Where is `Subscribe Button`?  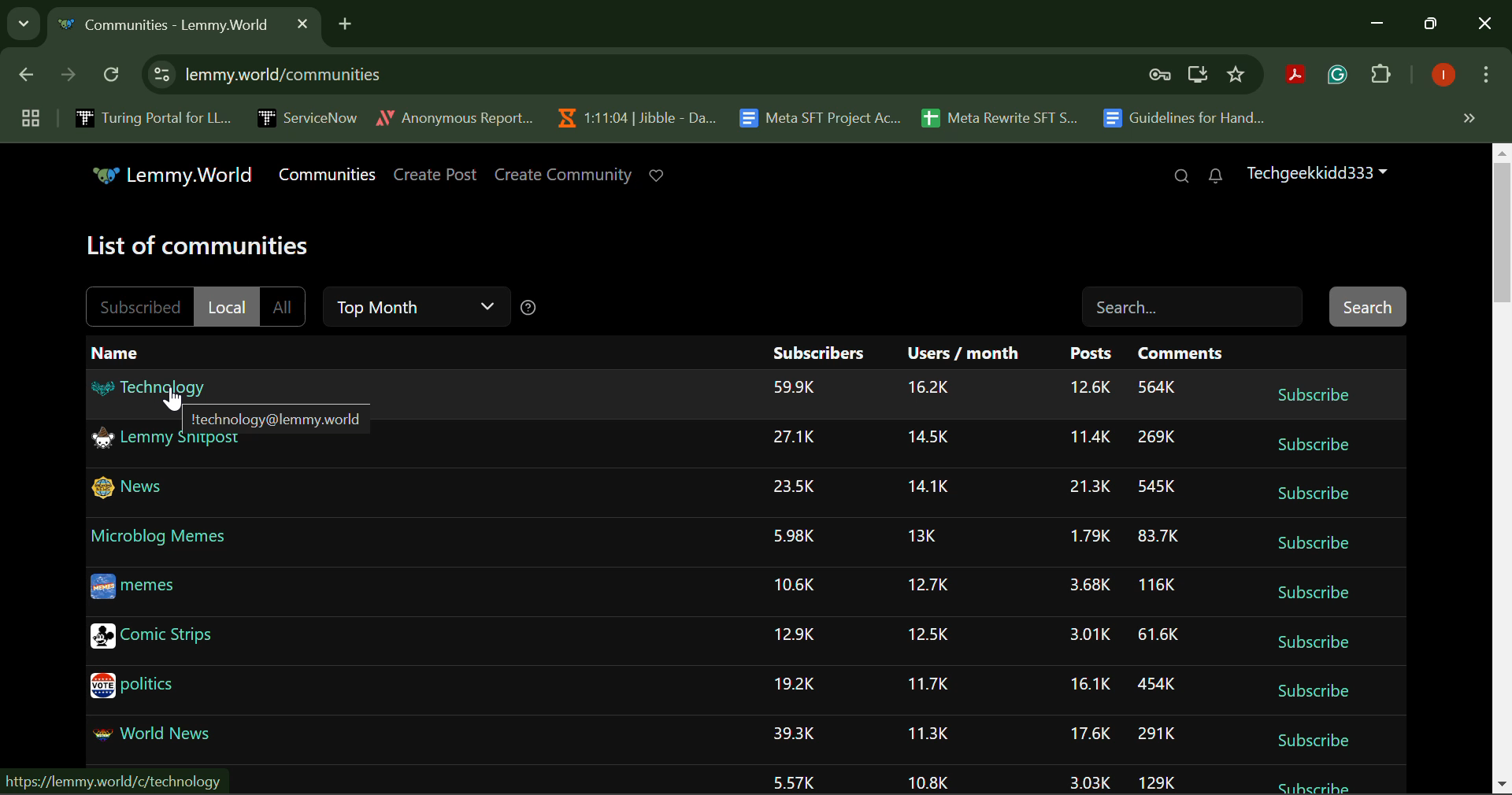 Subscribe Button is located at coordinates (1315, 494).